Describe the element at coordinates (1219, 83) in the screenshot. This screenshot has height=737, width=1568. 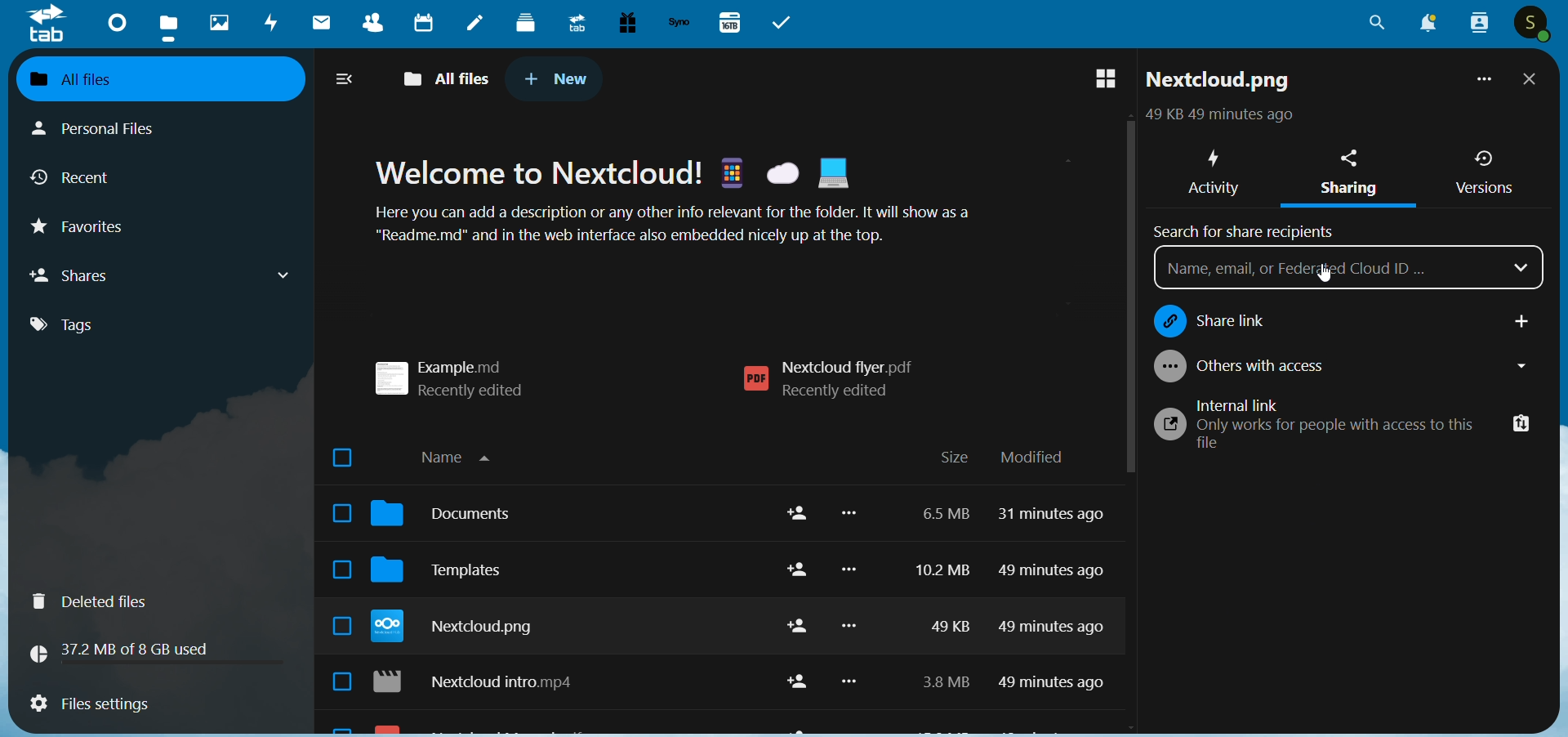
I see `nextcloud png` at that location.